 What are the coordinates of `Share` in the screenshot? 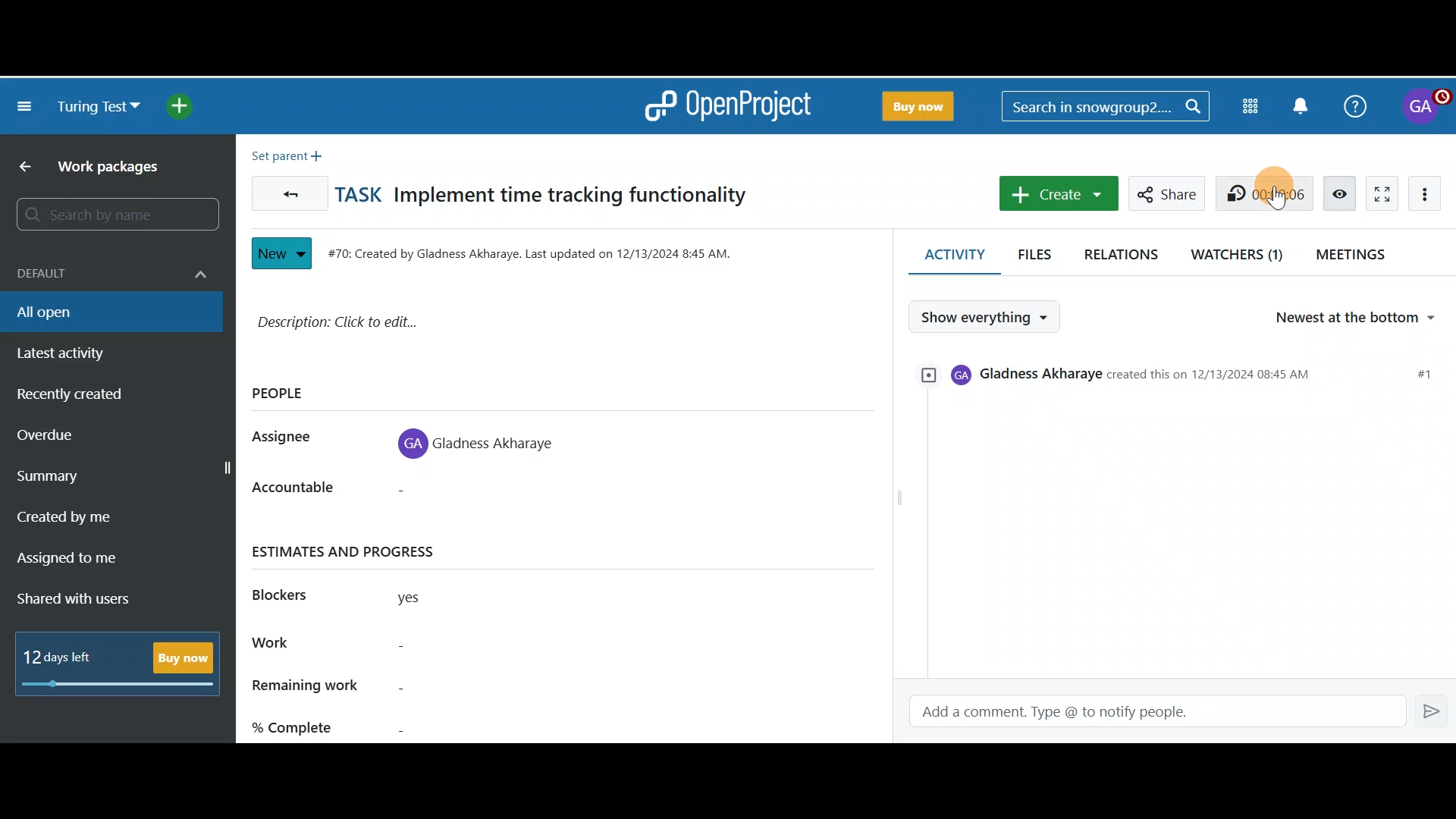 It's located at (1163, 191).